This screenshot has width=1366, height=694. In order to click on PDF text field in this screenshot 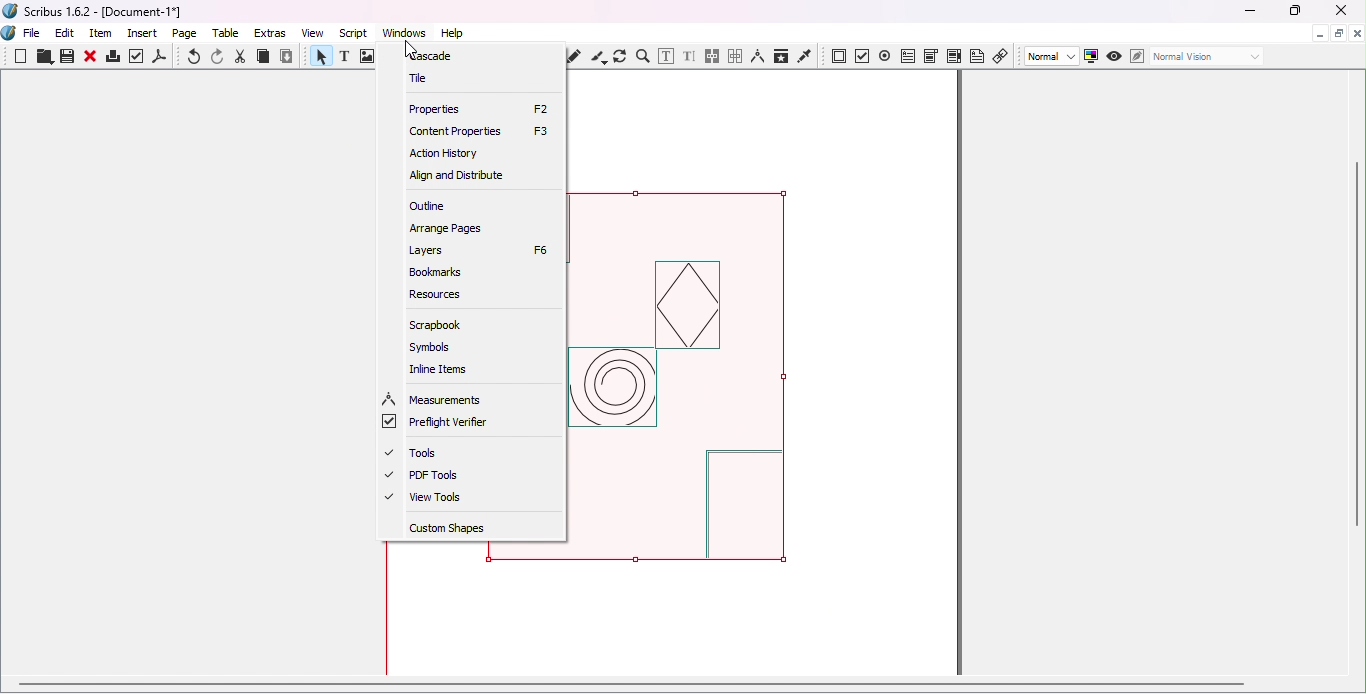, I will do `click(907, 54)`.